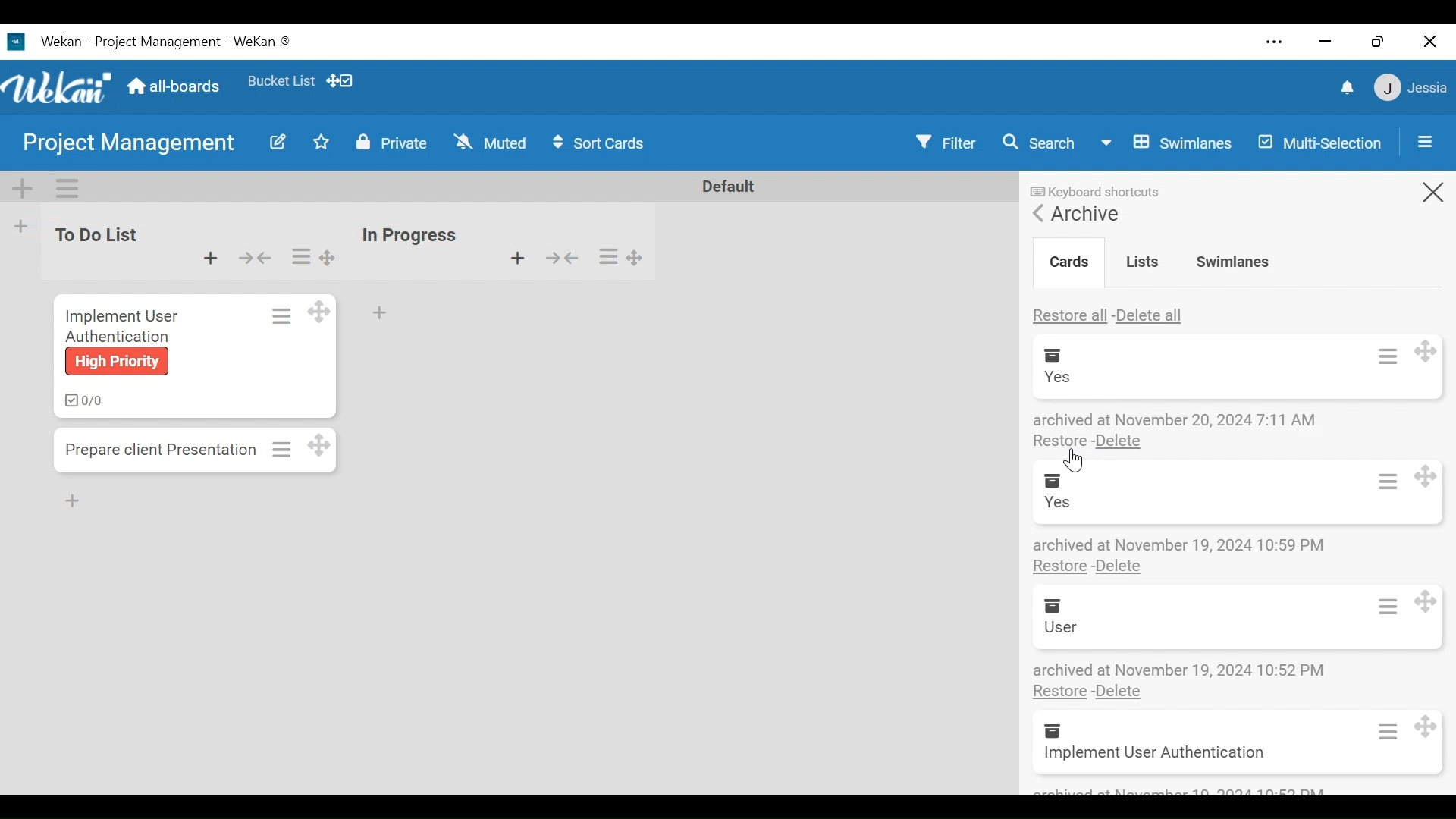  What do you see at coordinates (727, 186) in the screenshot?
I see `Default Name` at bounding box center [727, 186].